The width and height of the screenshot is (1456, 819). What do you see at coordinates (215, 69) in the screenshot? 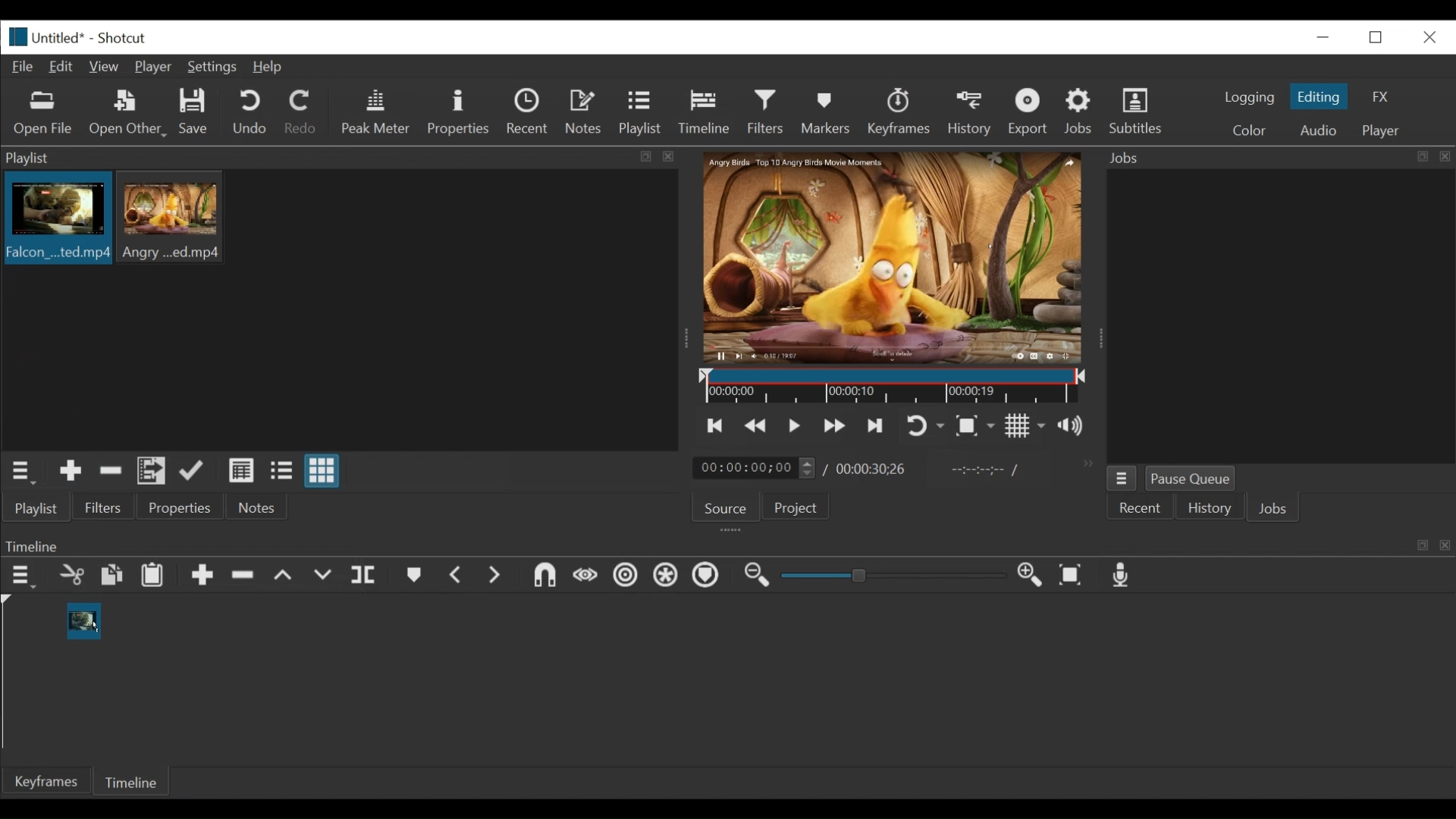
I see `Settings` at bounding box center [215, 69].